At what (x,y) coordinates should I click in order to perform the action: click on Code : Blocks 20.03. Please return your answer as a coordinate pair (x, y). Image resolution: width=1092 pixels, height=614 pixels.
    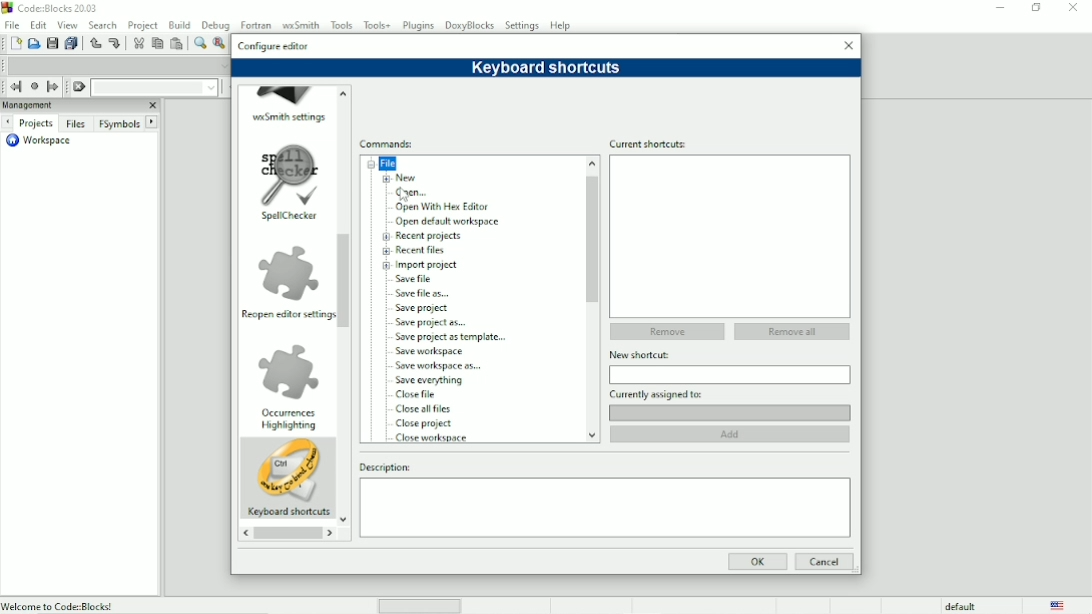
    Looking at the image, I should click on (53, 7).